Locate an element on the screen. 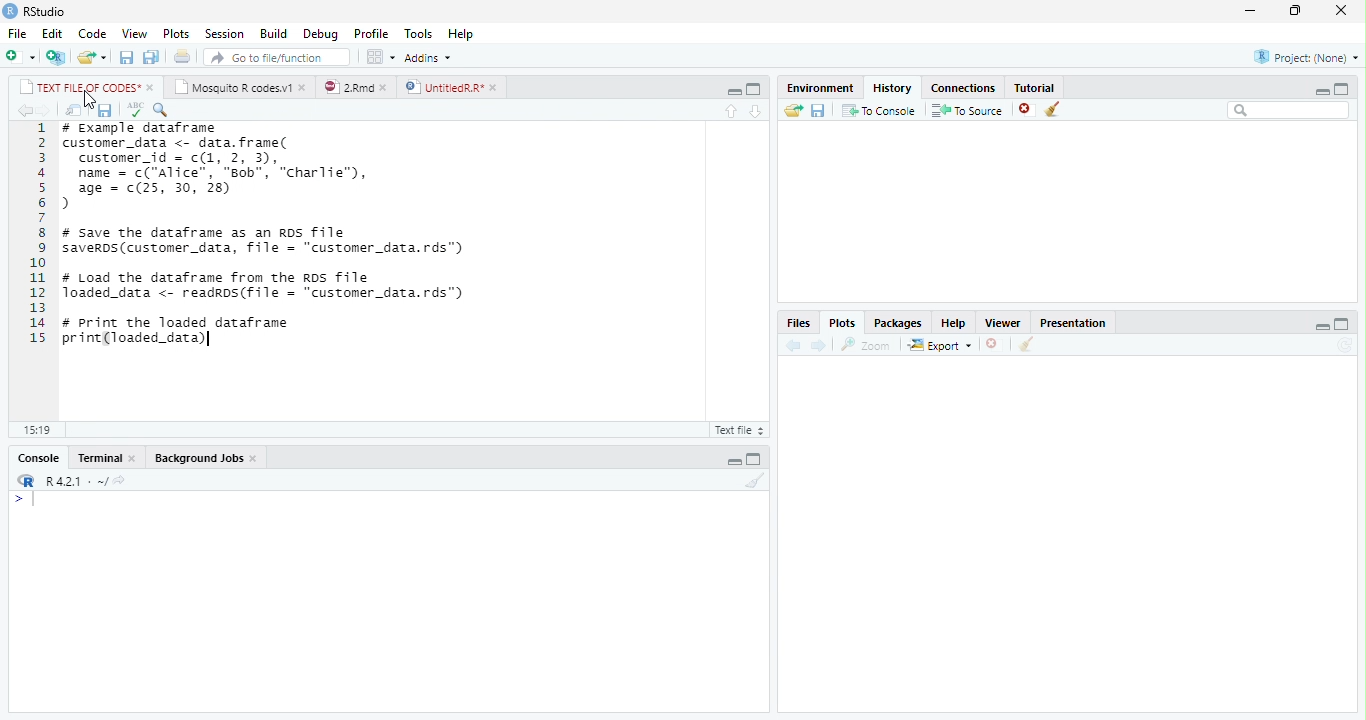 The image size is (1366, 720). File is located at coordinates (17, 33).